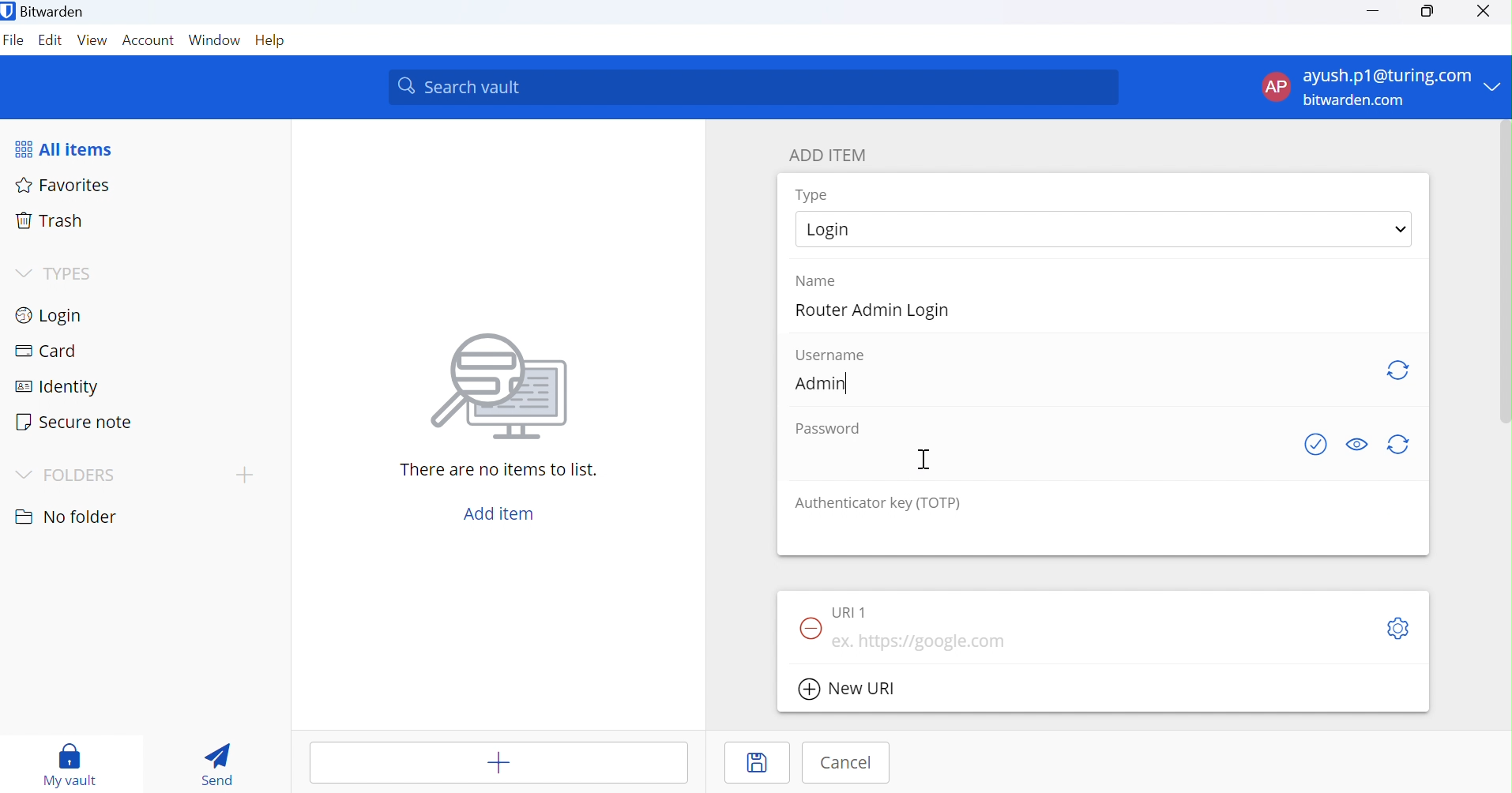  Describe the element at coordinates (245, 474) in the screenshot. I see `add topic` at that location.